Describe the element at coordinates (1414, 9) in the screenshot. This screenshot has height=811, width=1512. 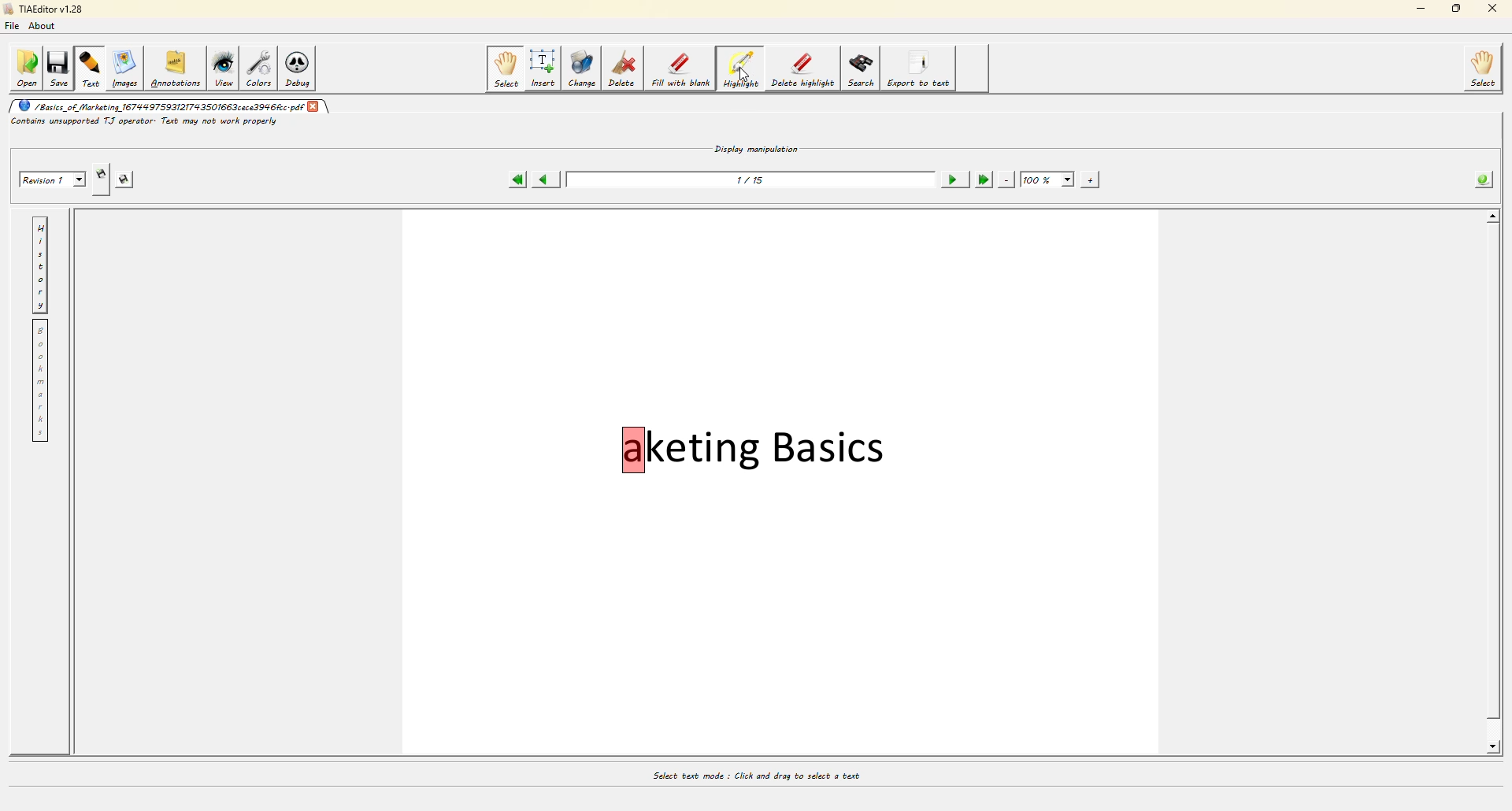
I see `minimize` at that location.